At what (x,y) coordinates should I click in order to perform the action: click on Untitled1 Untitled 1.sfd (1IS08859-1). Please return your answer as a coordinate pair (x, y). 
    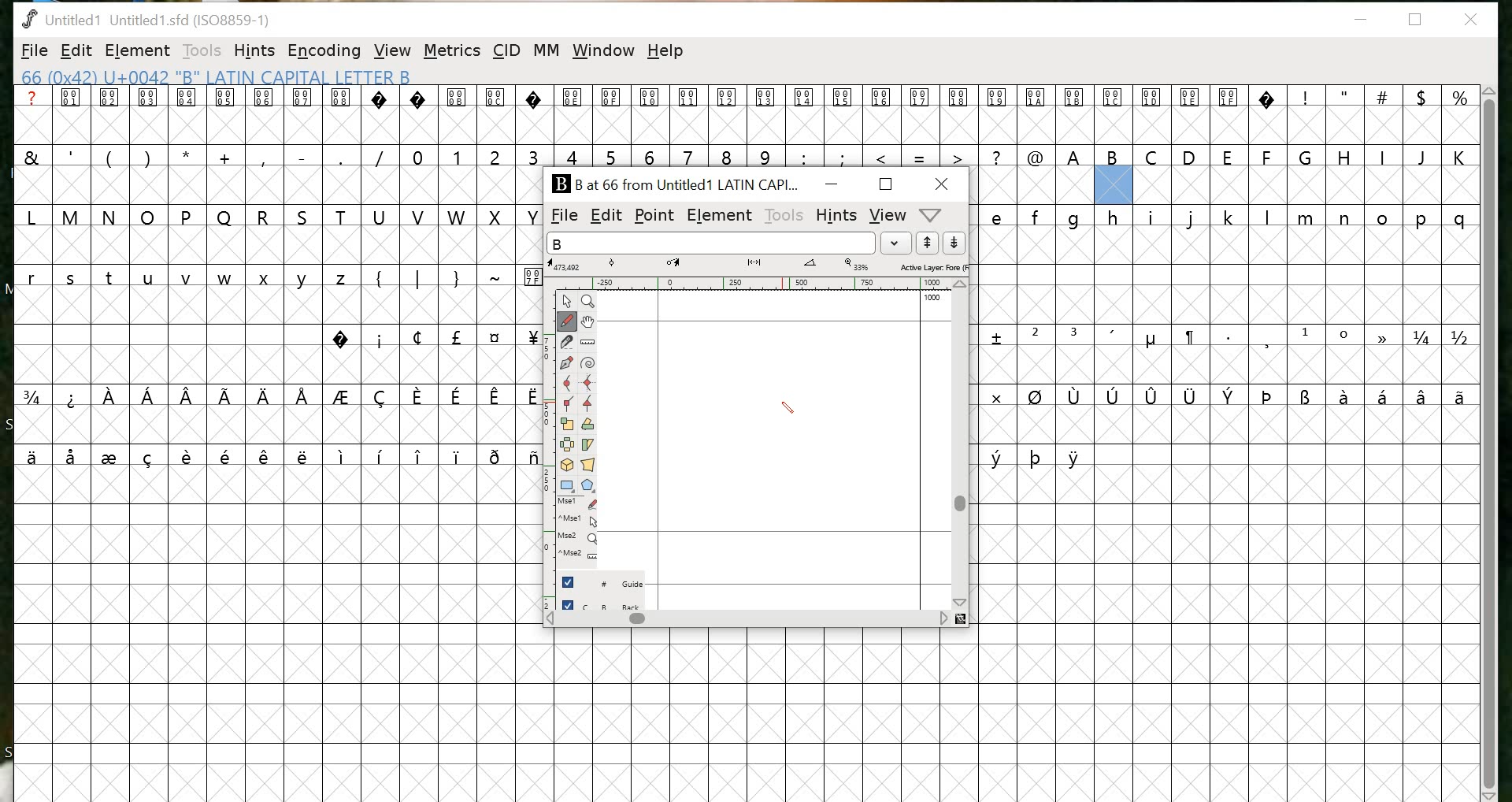
    Looking at the image, I should click on (145, 18).